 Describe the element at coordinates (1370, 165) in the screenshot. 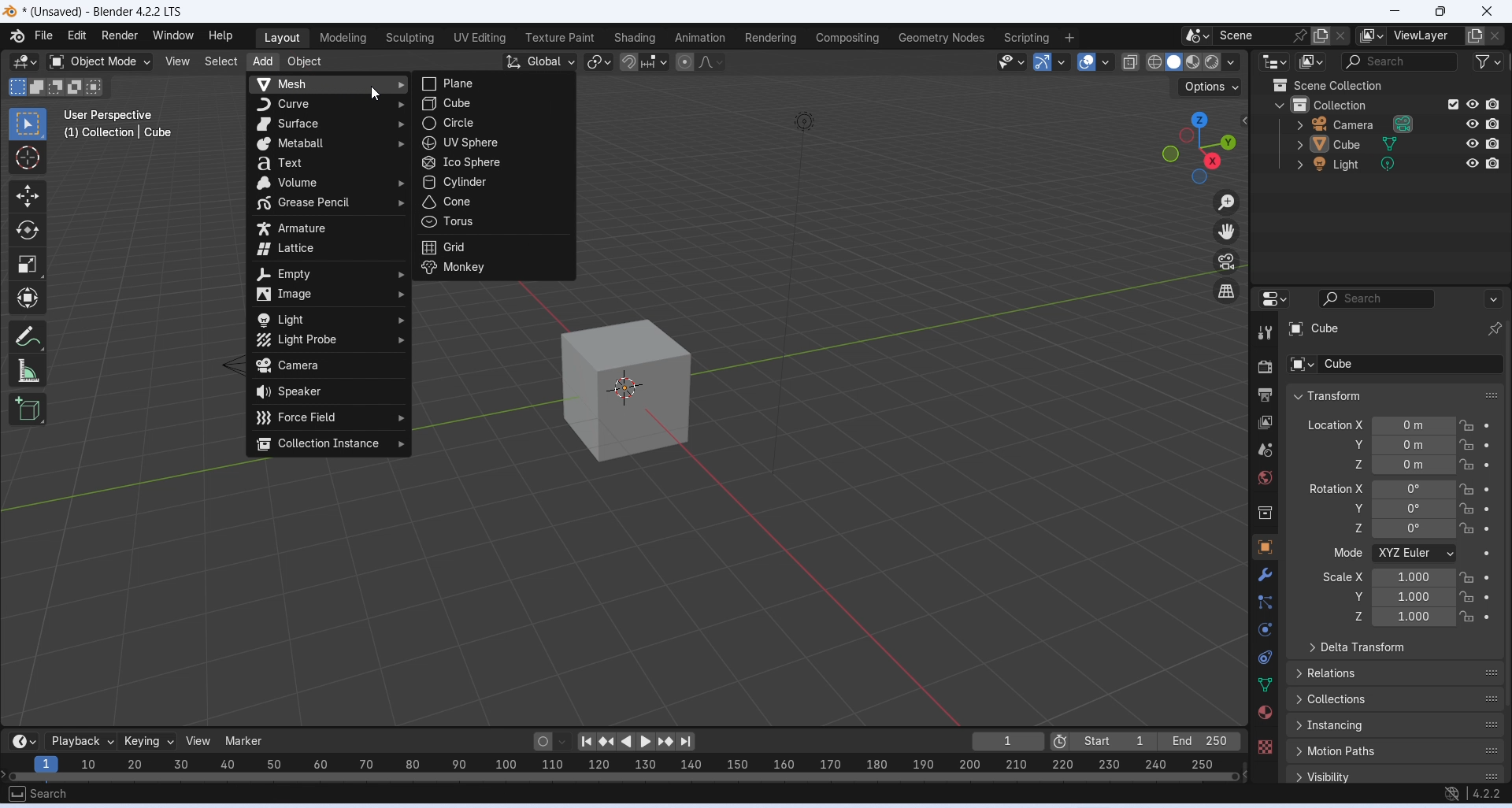

I see `lightvlayer` at that location.